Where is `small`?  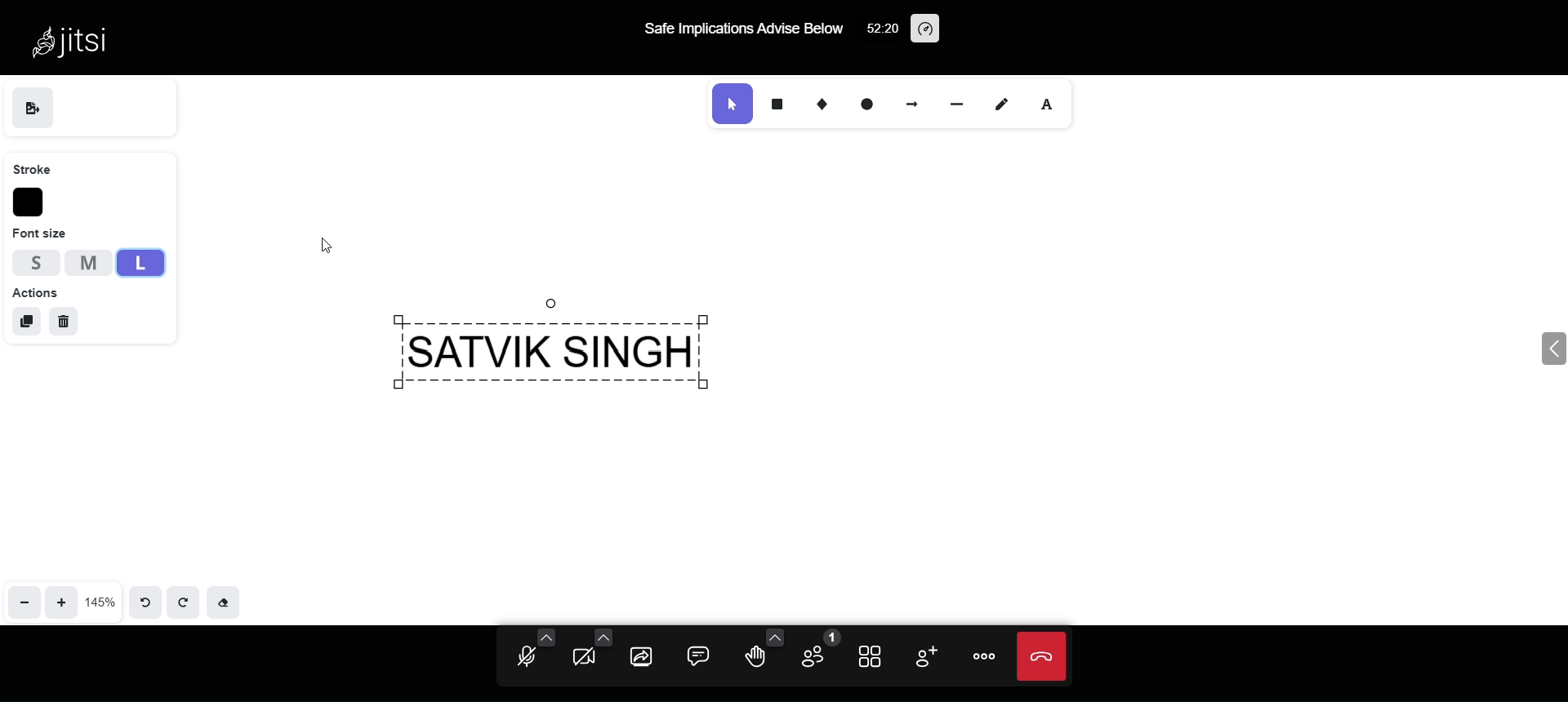 small is located at coordinates (36, 262).